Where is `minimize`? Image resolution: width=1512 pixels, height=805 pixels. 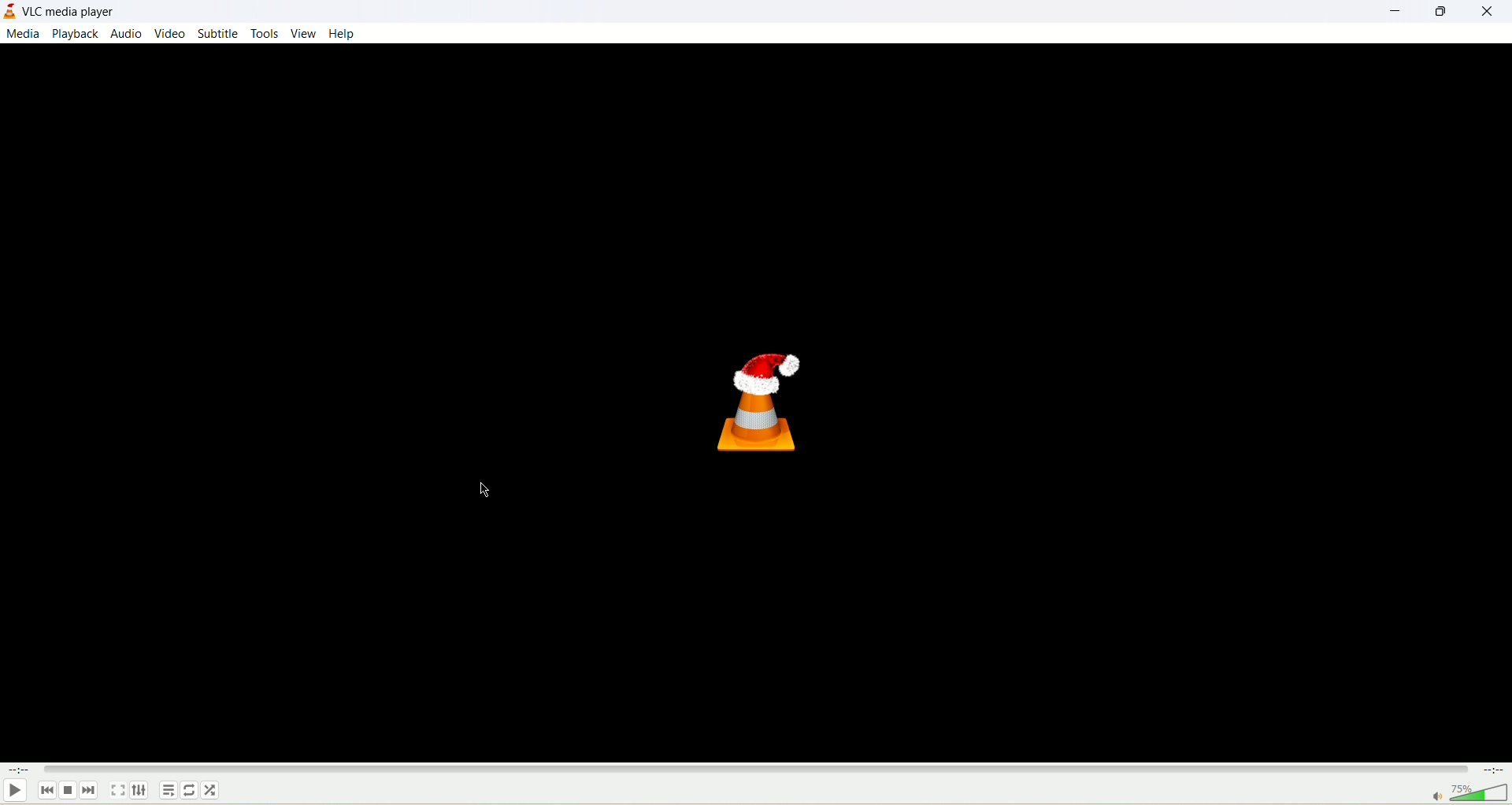 minimize is located at coordinates (1403, 11).